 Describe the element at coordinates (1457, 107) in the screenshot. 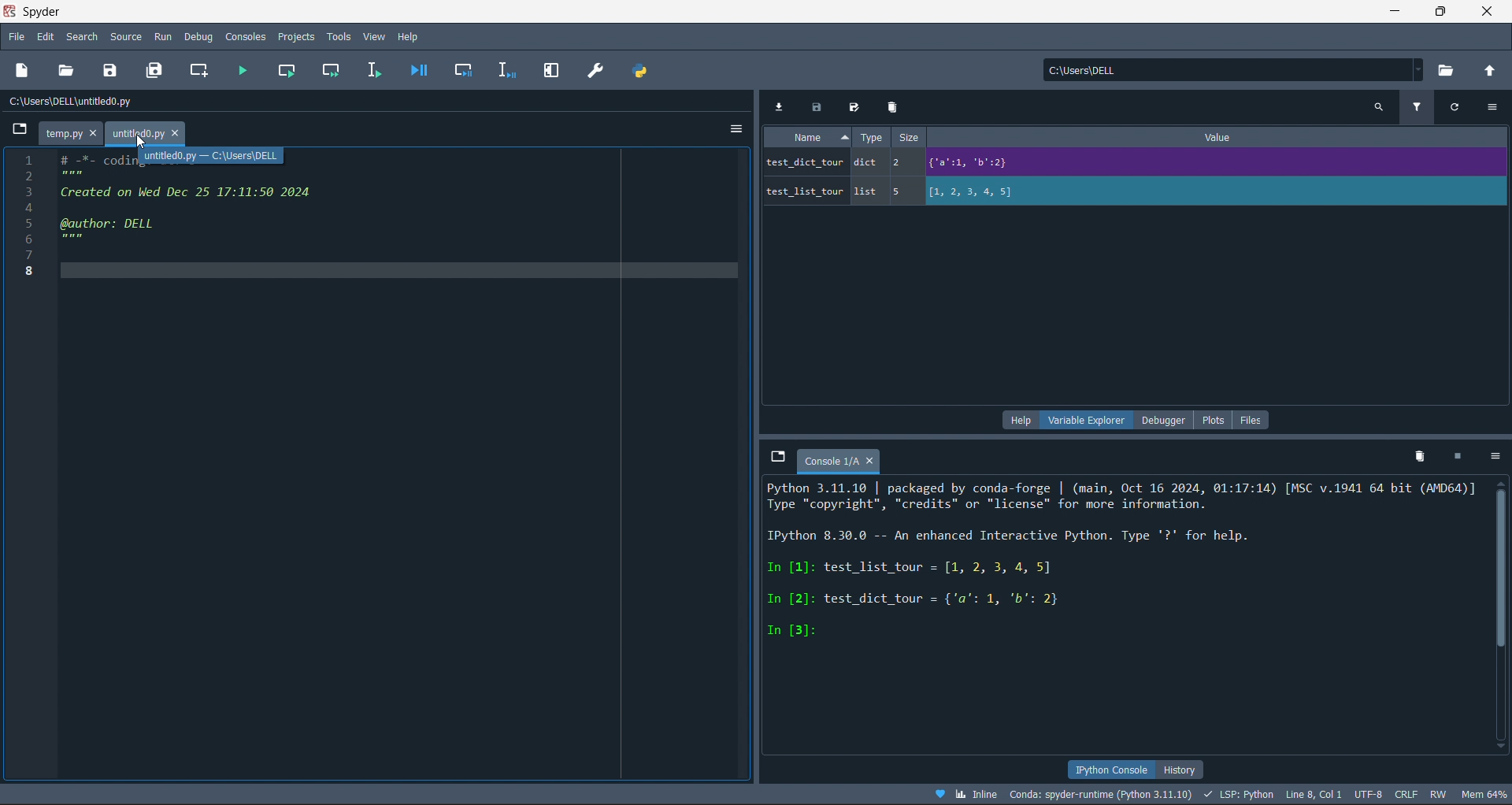

I see `refresh` at that location.